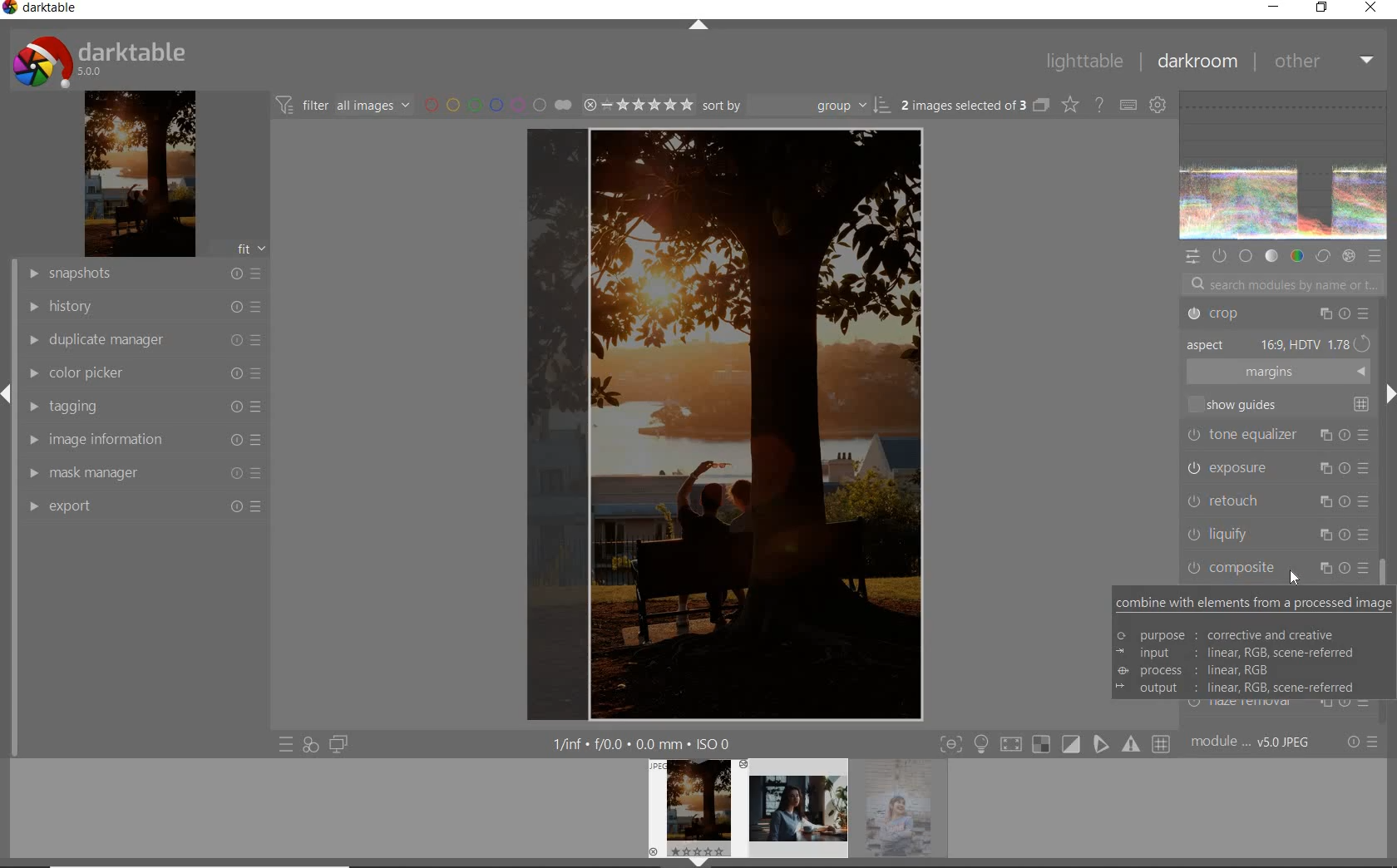 Image resolution: width=1397 pixels, height=868 pixels. What do you see at coordinates (143, 472) in the screenshot?
I see `mask manager` at bounding box center [143, 472].